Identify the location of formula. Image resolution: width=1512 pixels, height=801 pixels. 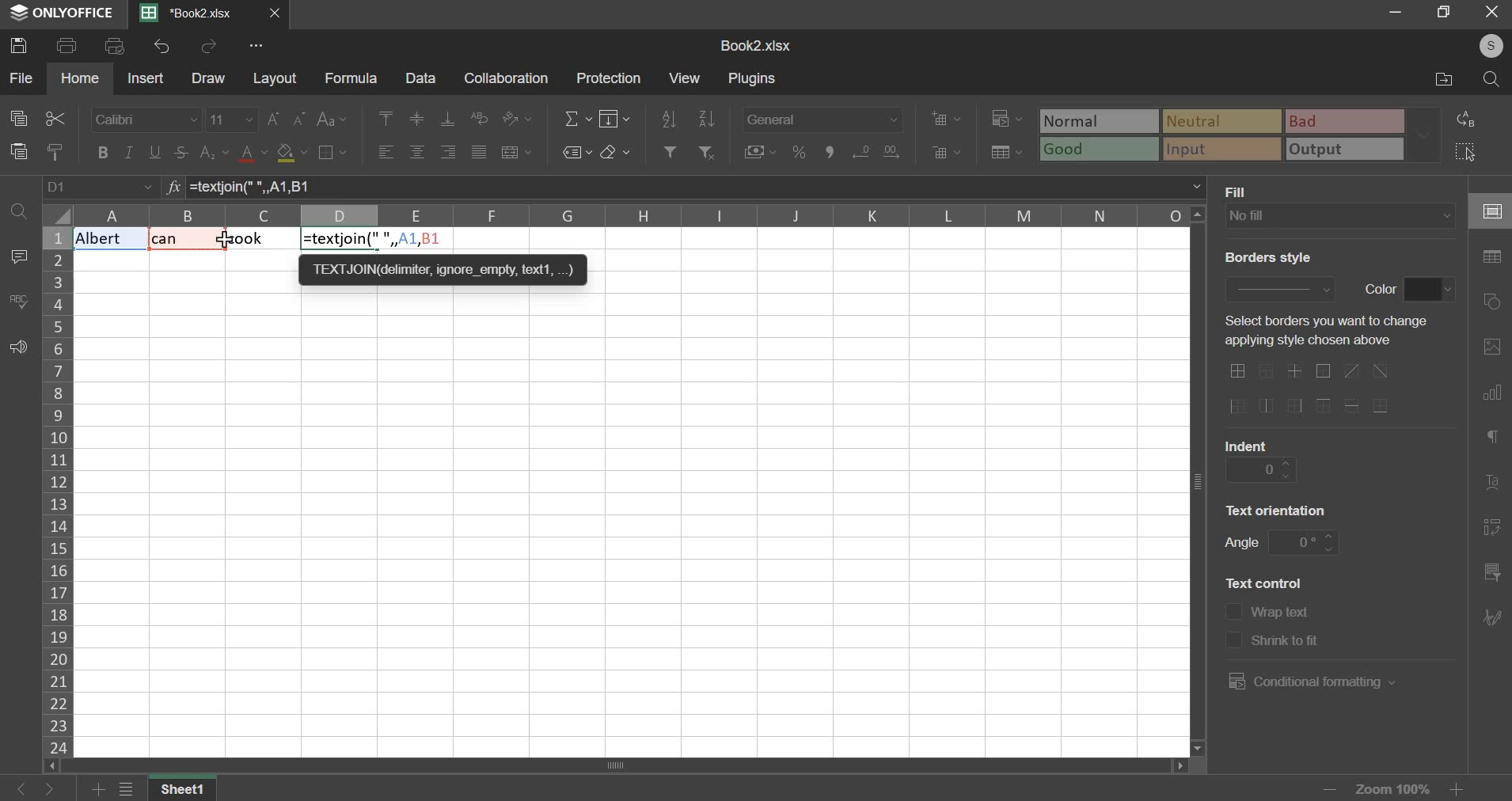
(351, 79).